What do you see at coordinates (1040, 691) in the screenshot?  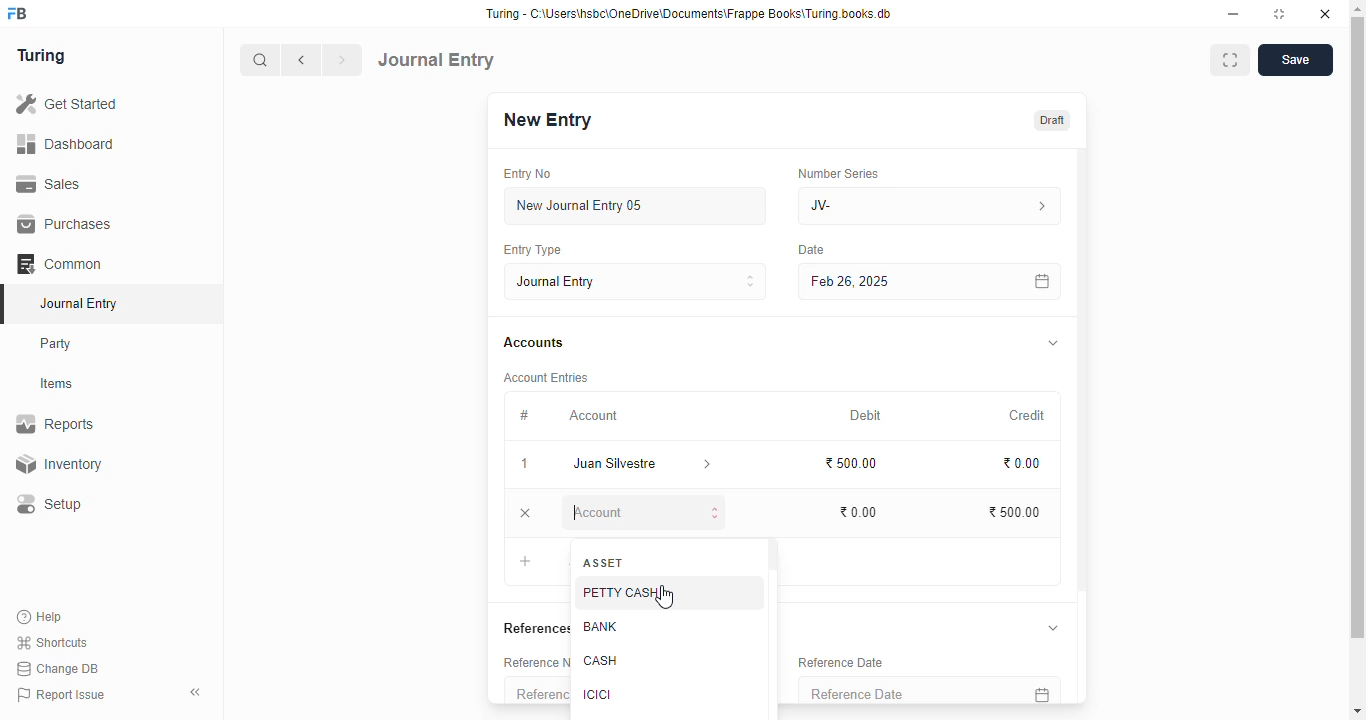 I see `calendar icon` at bounding box center [1040, 691].